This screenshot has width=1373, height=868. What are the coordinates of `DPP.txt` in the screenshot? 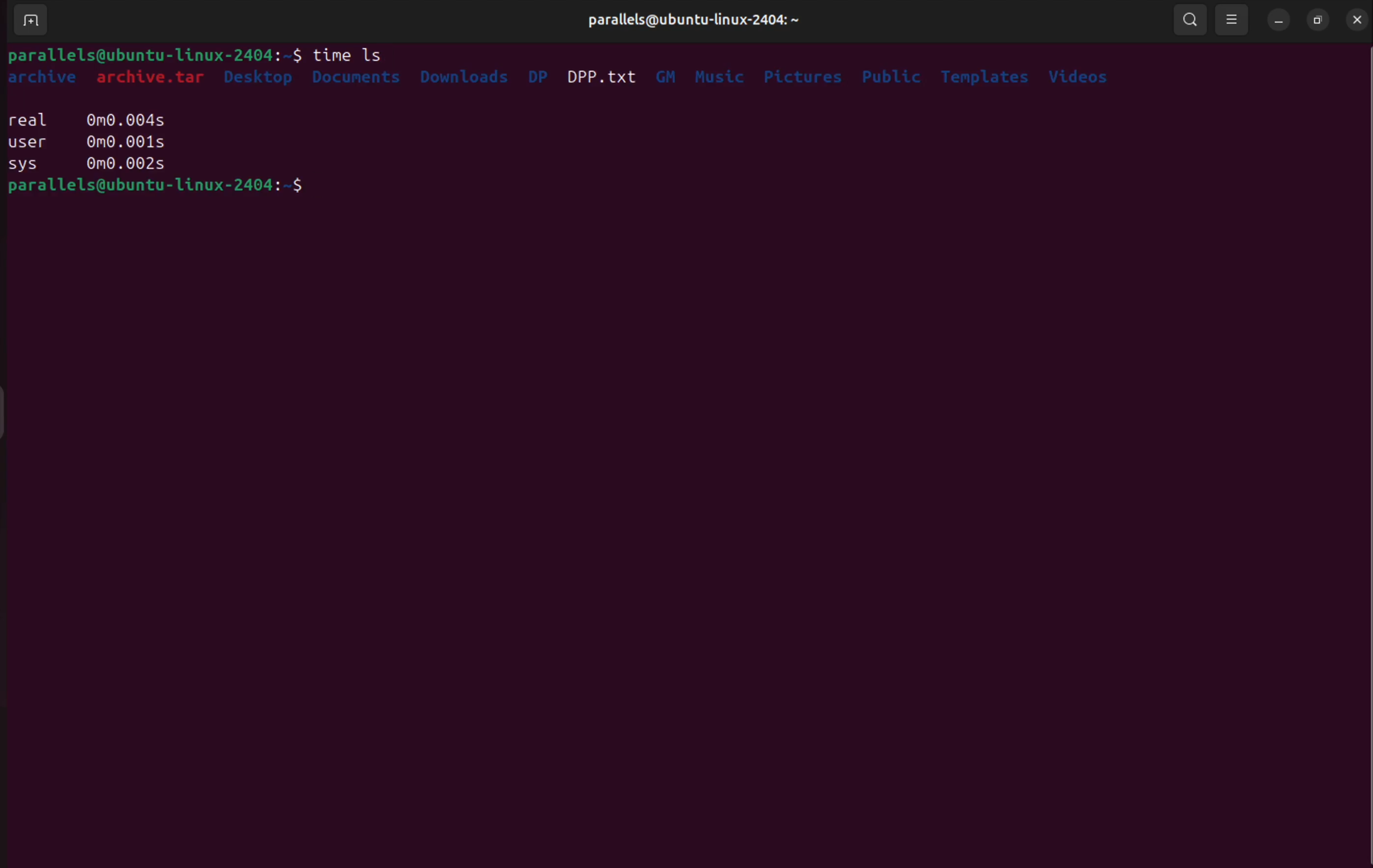 It's located at (606, 74).